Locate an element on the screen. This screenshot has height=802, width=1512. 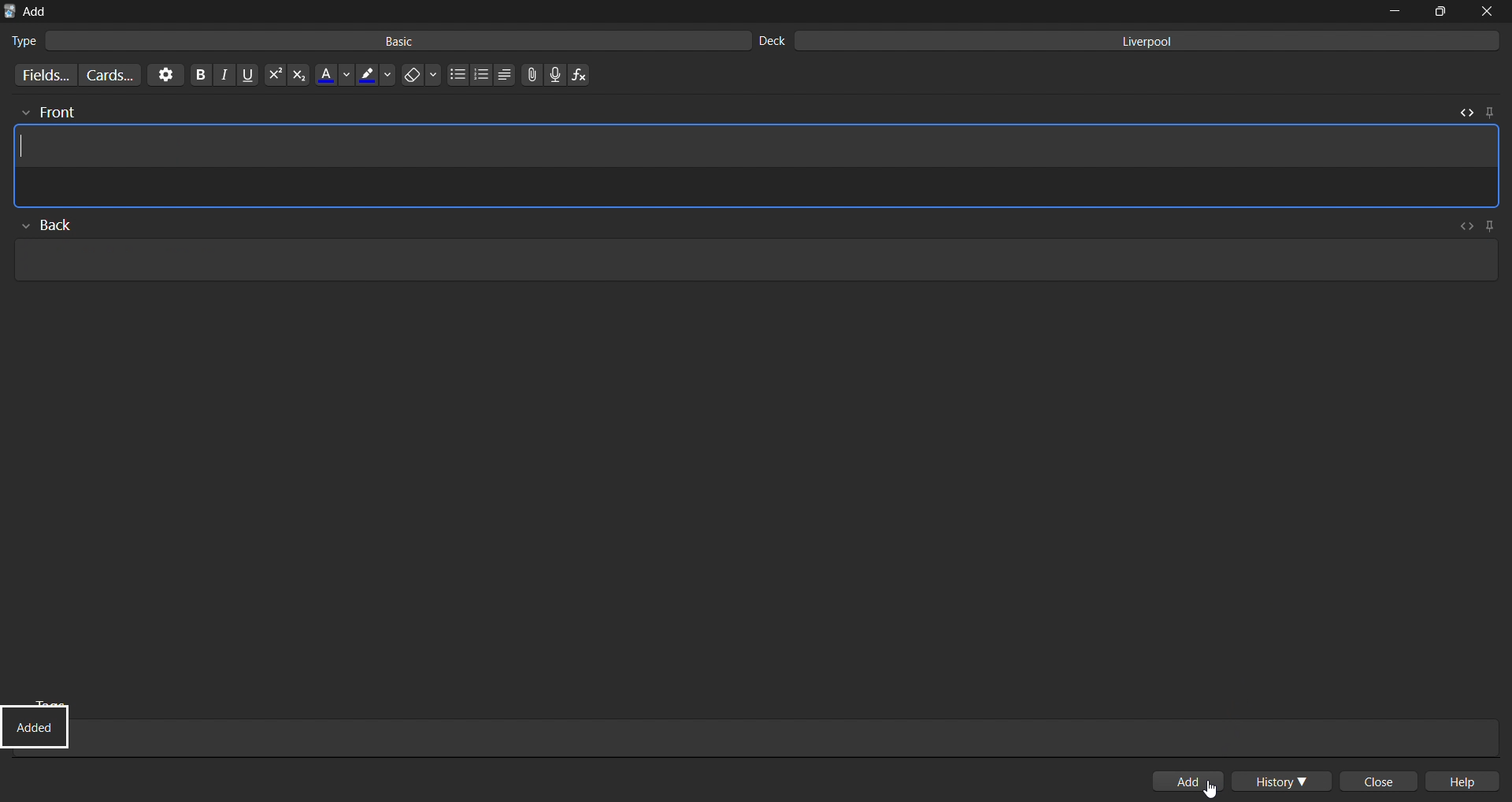
customize fields is located at coordinates (42, 75).